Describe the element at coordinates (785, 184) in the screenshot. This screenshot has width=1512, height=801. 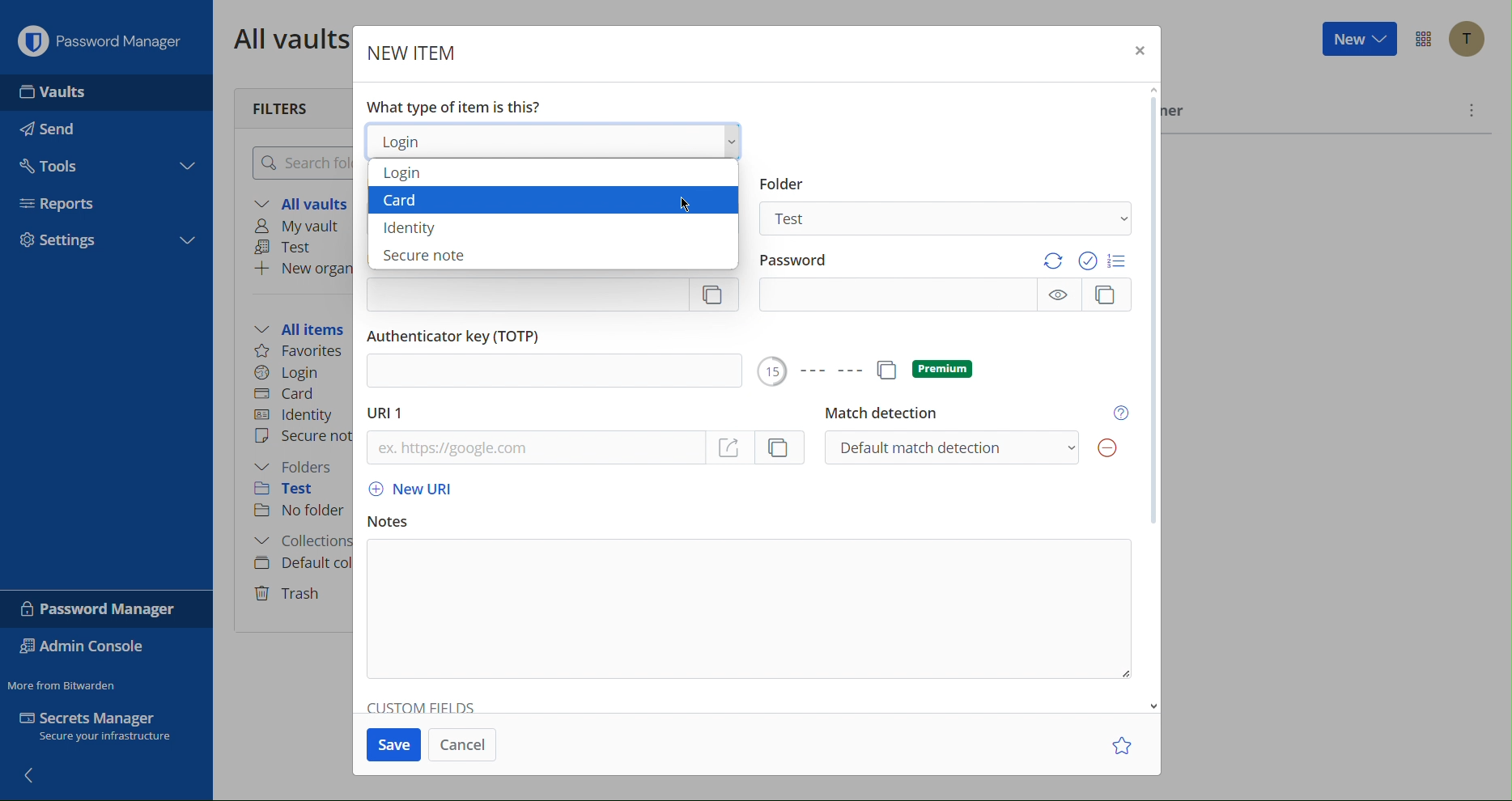
I see `` at that location.